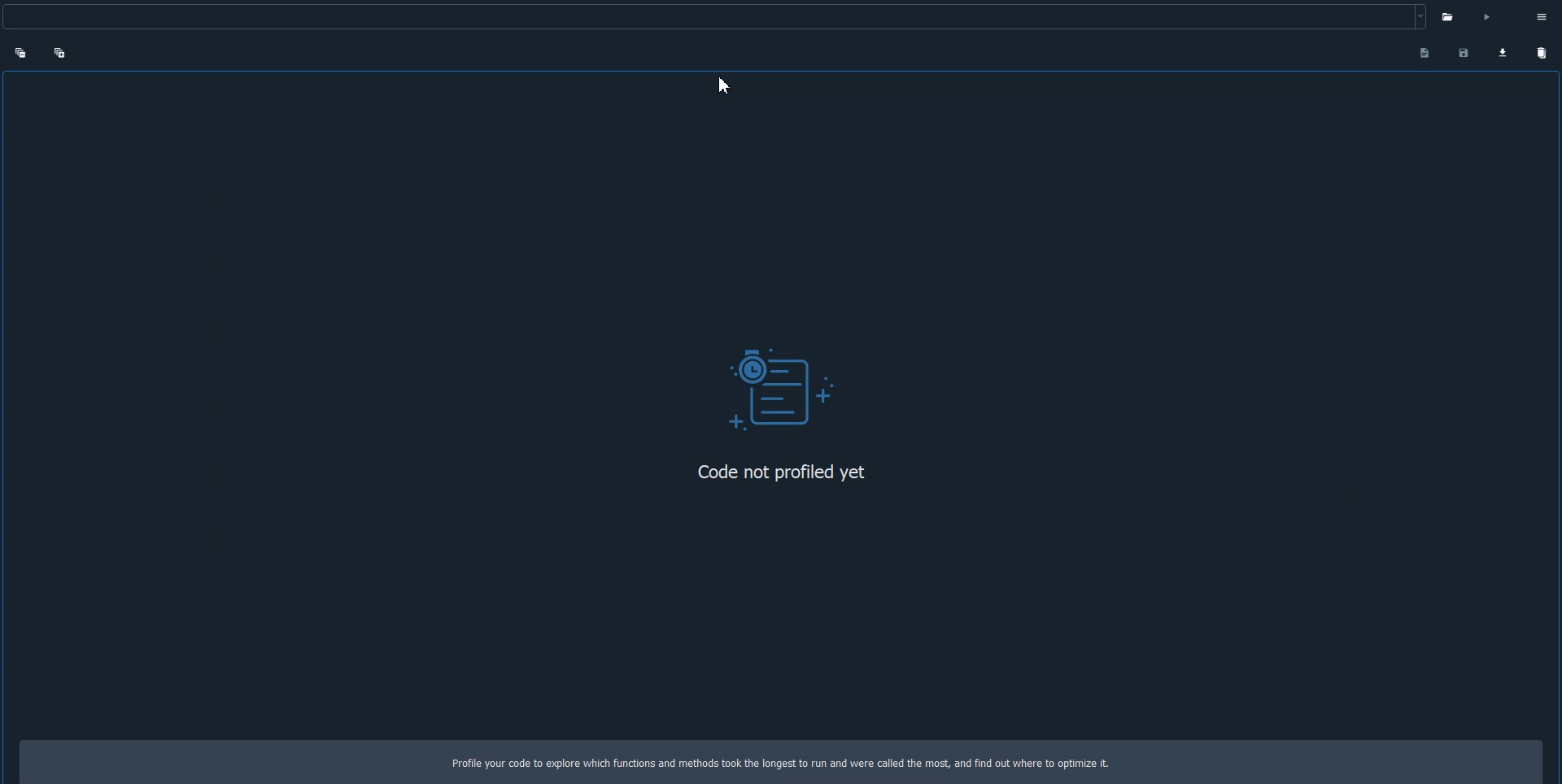 This screenshot has width=1562, height=784. Describe the element at coordinates (780, 385) in the screenshot. I see `Logo` at that location.